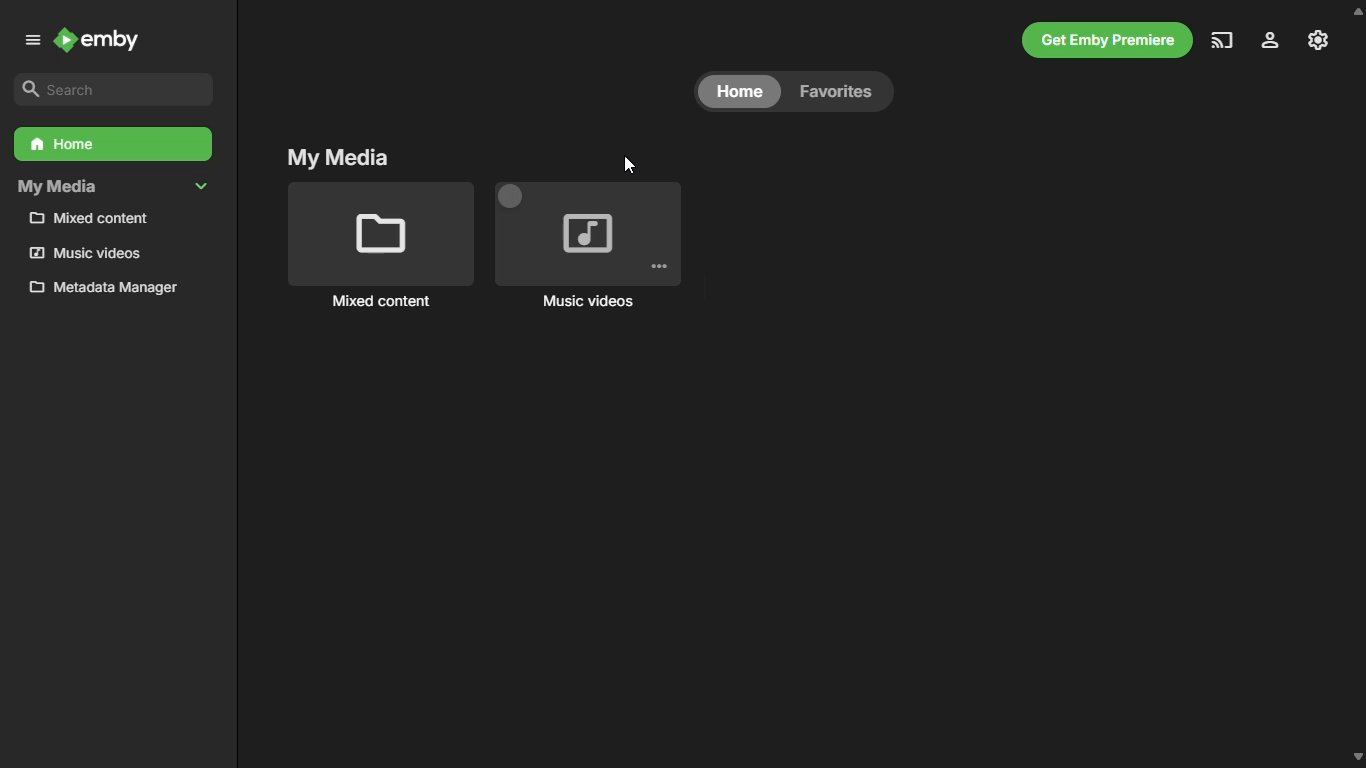 This screenshot has height=768, width=1366. I want to click on play on another device, so click(1221, 41).